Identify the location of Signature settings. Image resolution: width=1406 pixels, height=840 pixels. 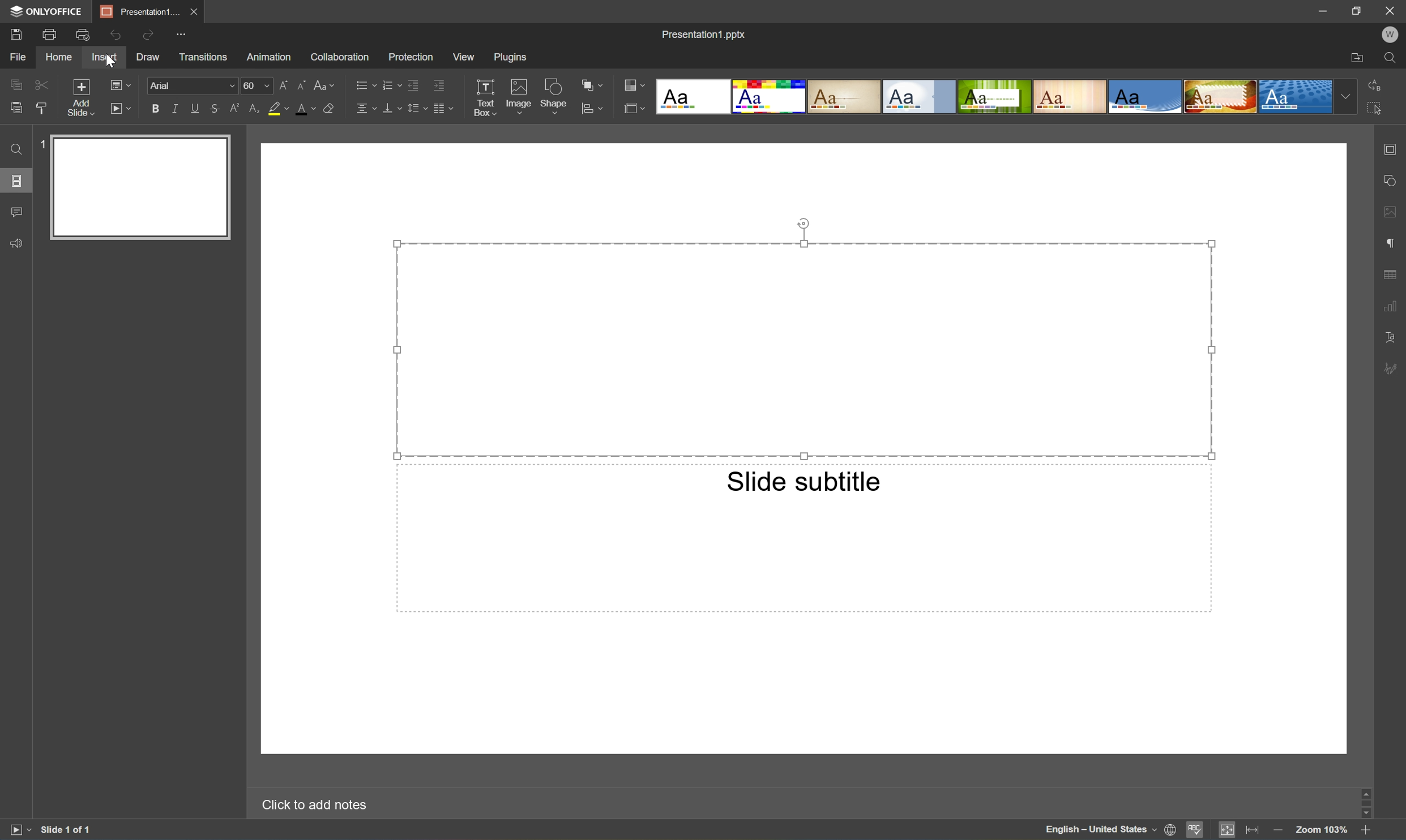
(1392, 368).